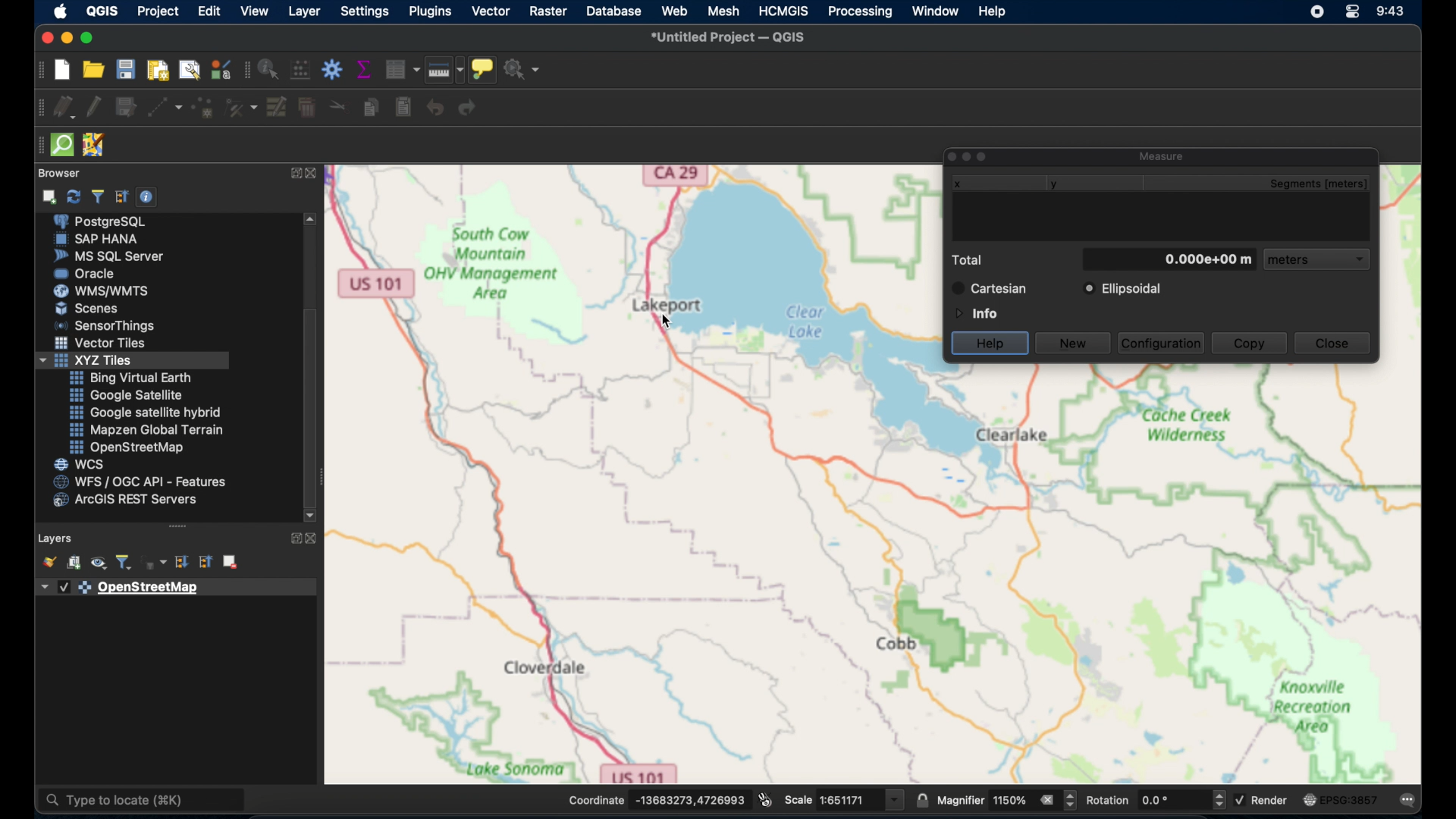  What do you see at coordinates (845, 799) in the screenshot?
I see `scale` at bounding box center [845, 799].